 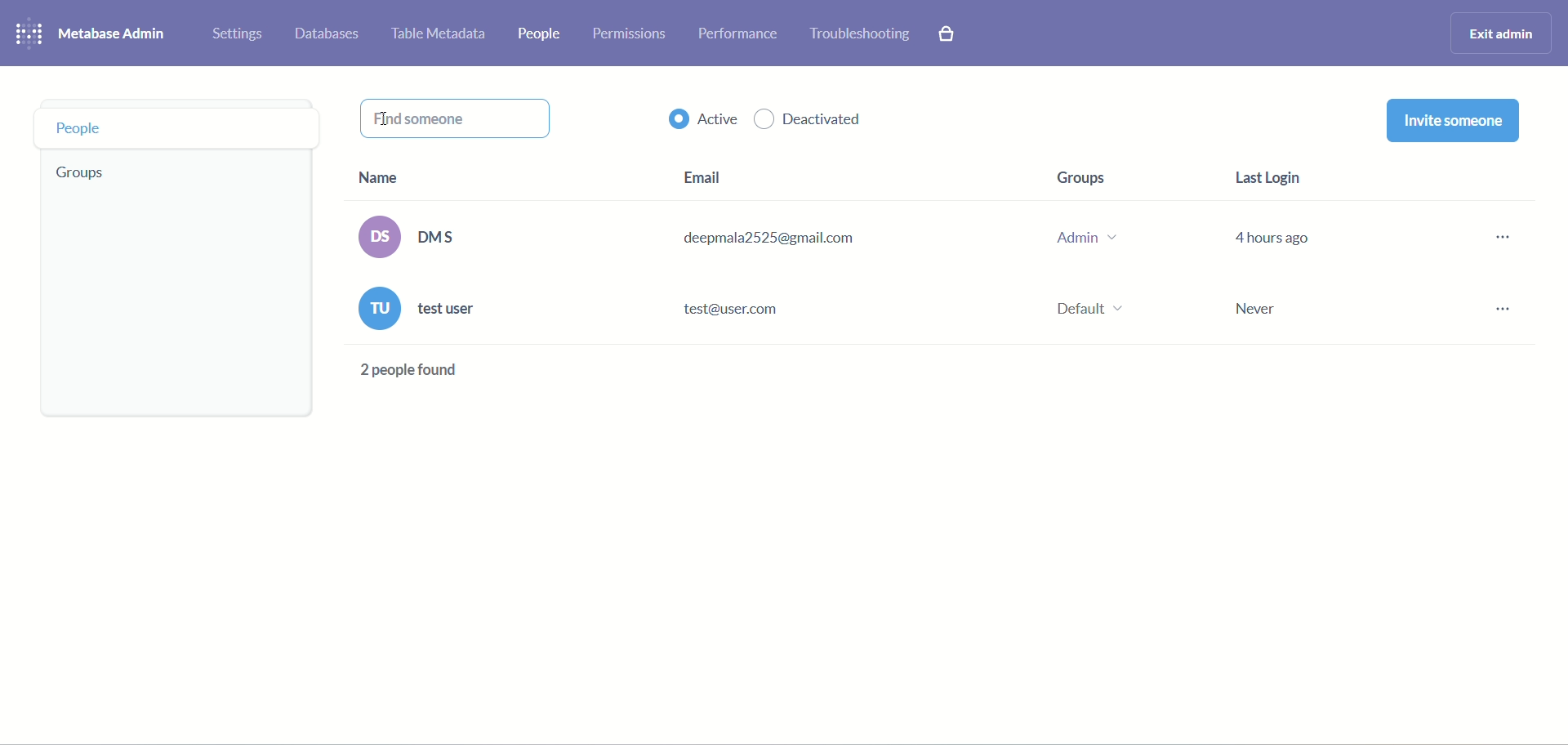 What do you see at coordinates (763, 271) in the screenshot?
I see `email` at bounding box center [763, 271].